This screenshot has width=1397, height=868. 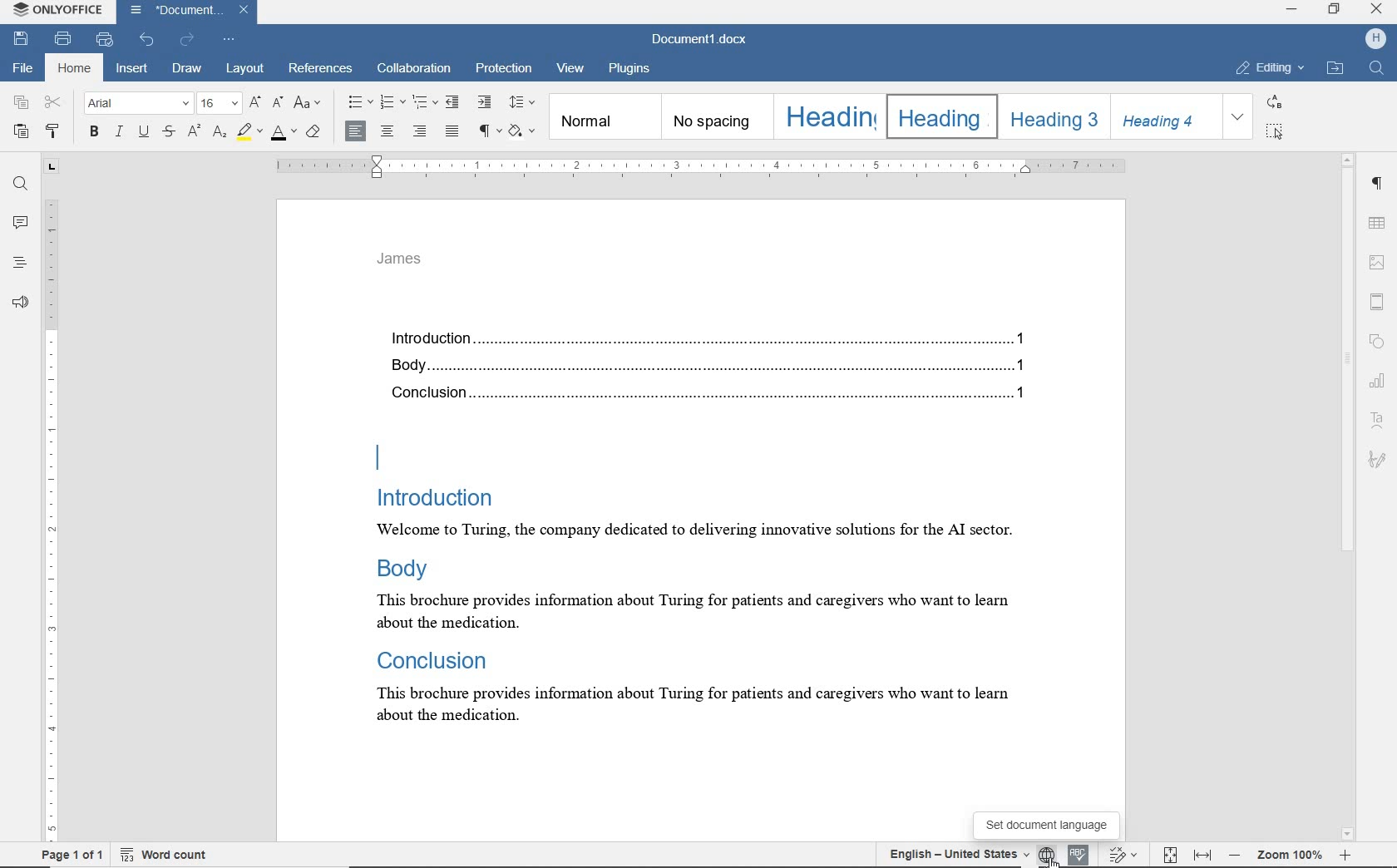 What do you see at coordinates (54, 103) in the screenshot?
I see `cut` at bounding box center [54, 103].